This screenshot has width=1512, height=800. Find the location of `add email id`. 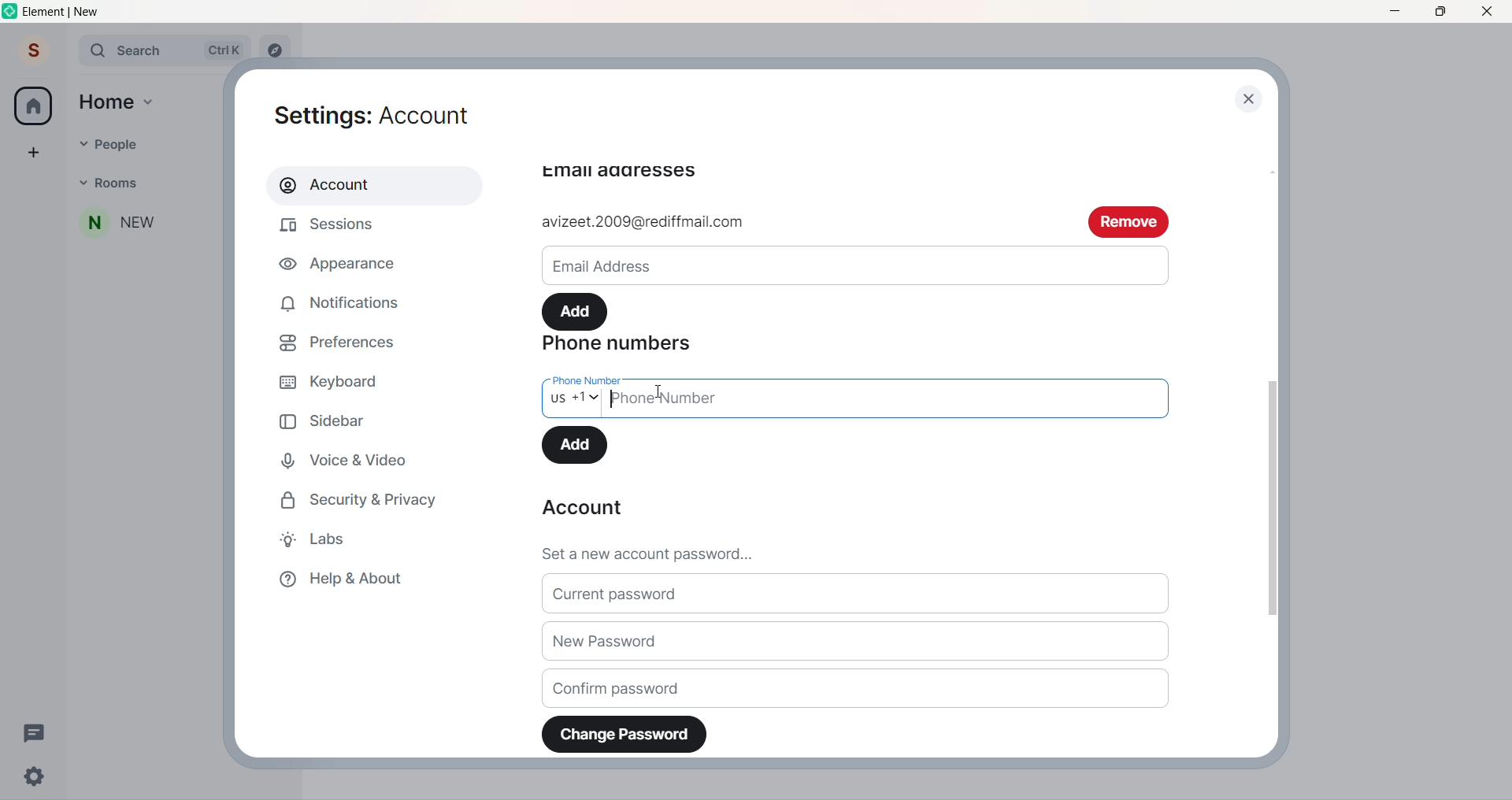

add email id is located at coordinates (795, 223).